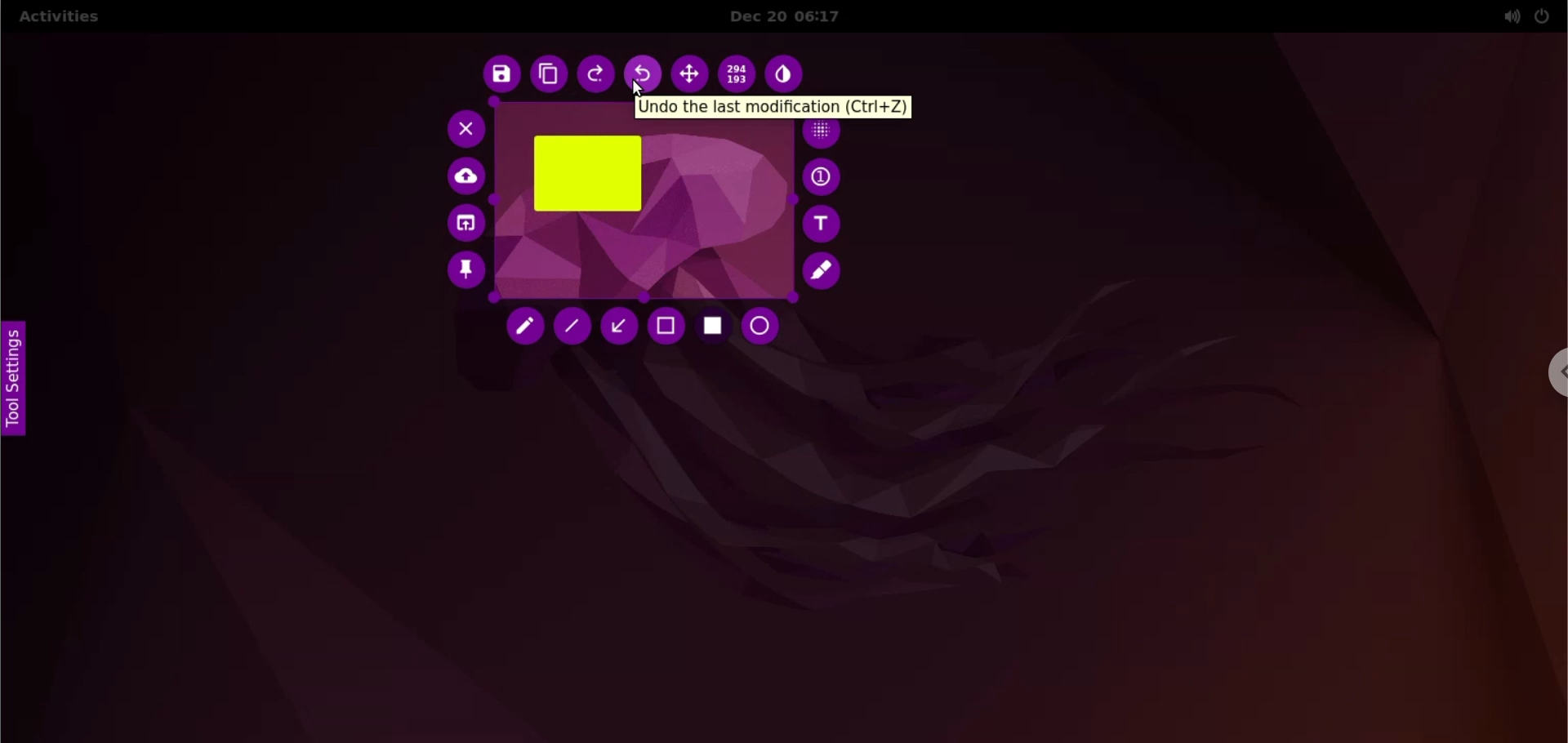 Image resolution: width=1568 pixels, height=743 pixels. I want to click on sound options, so click(1508, 16).